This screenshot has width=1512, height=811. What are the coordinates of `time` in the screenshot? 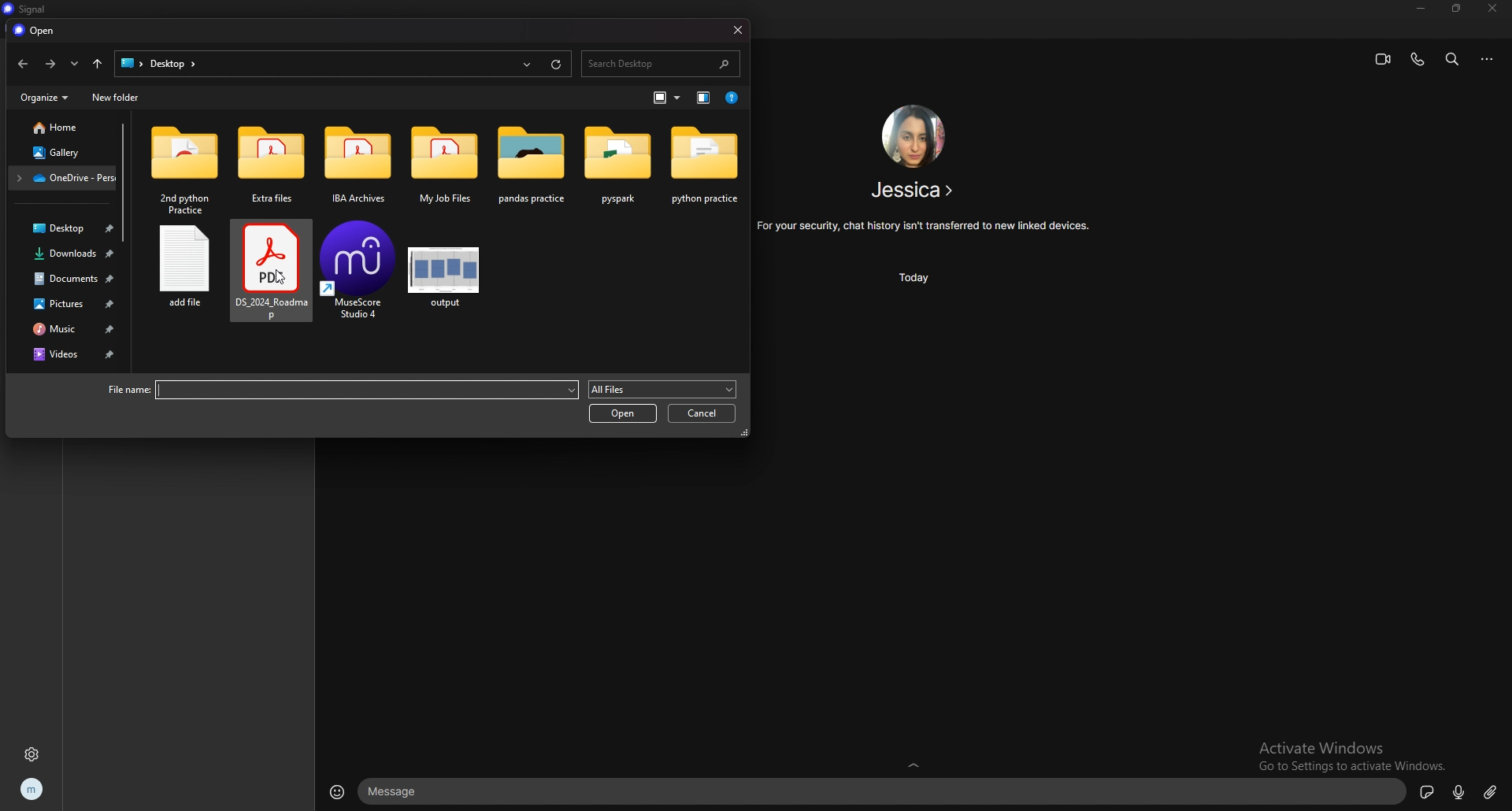 It's located at (919, 277).